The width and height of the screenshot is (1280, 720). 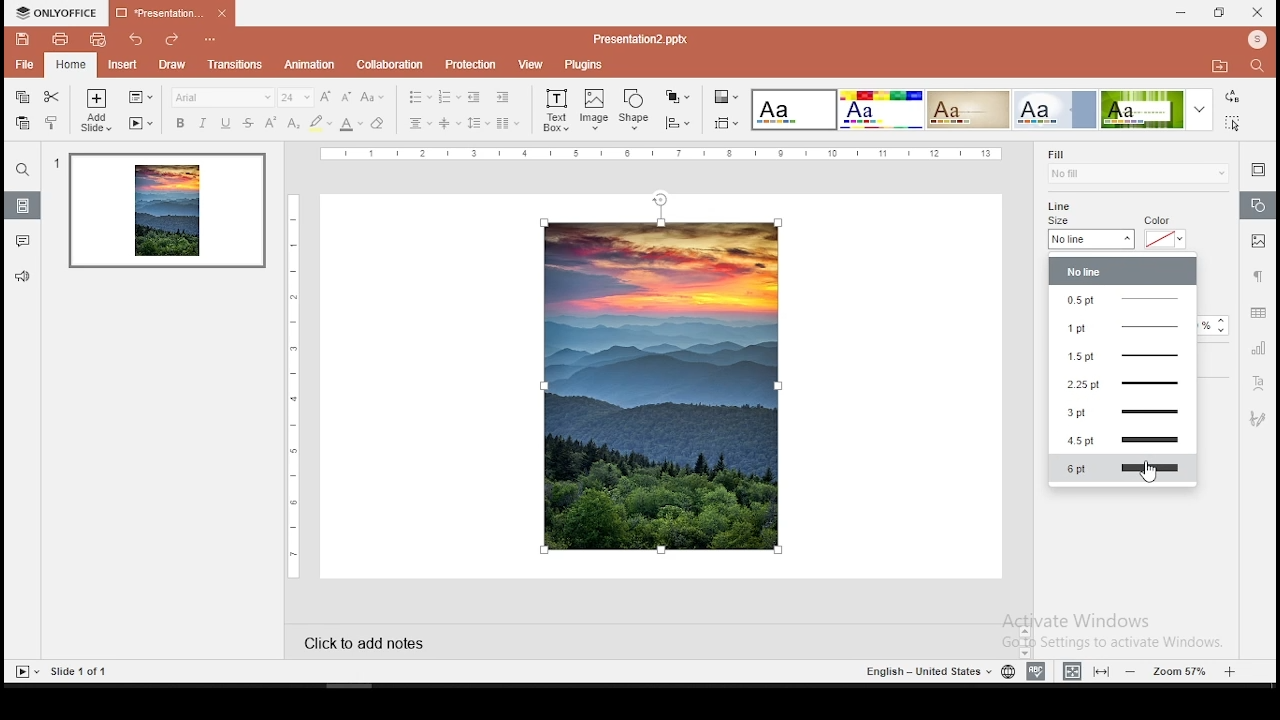 I want to click on mouse pointer, so click(x=1155, y=476).